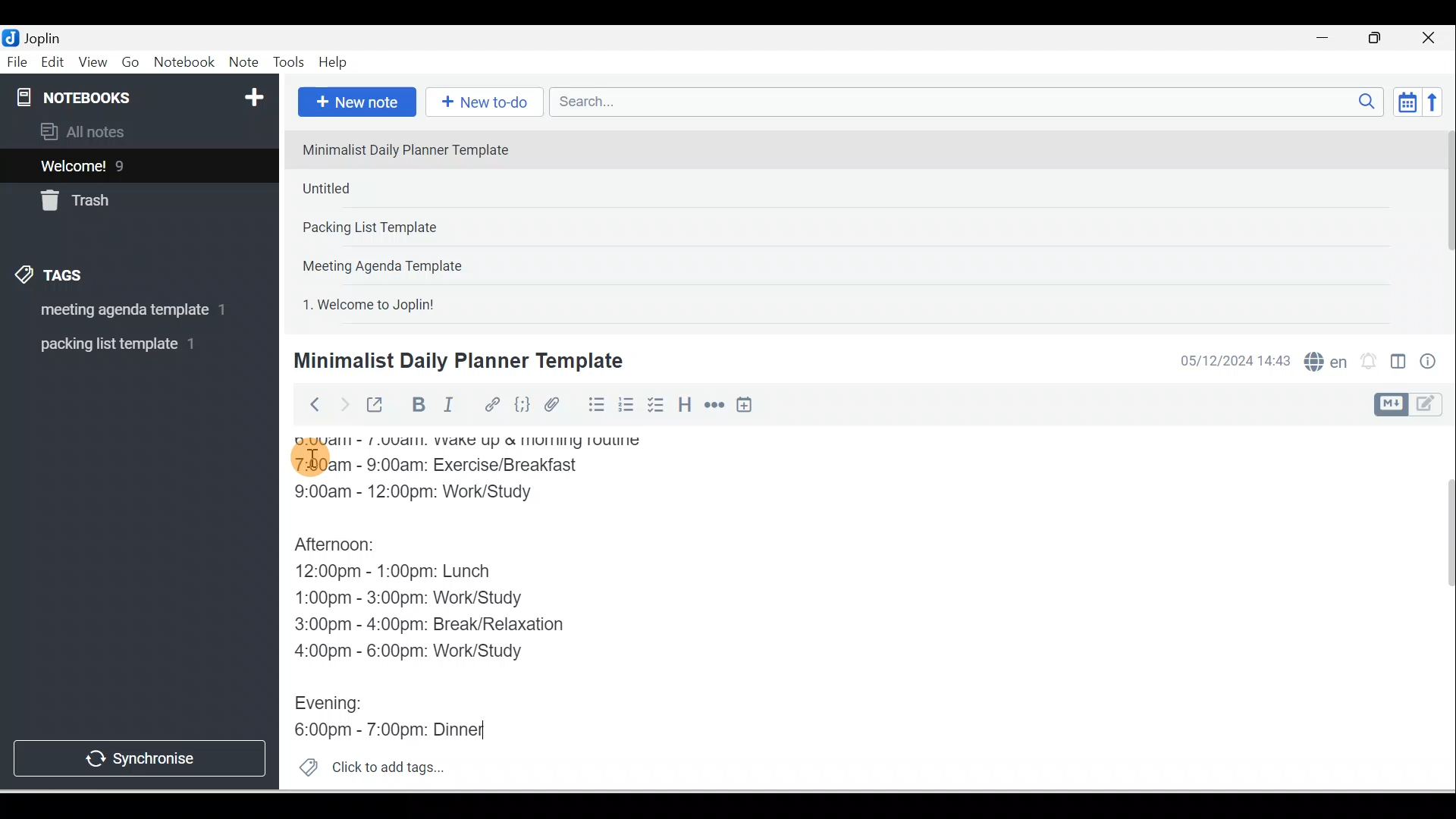 Image resolution: width=1456 pixels, height=819 pixels. Describe the element at coordinates (416, 405) in the screenshot. I see `Bold` at that location.